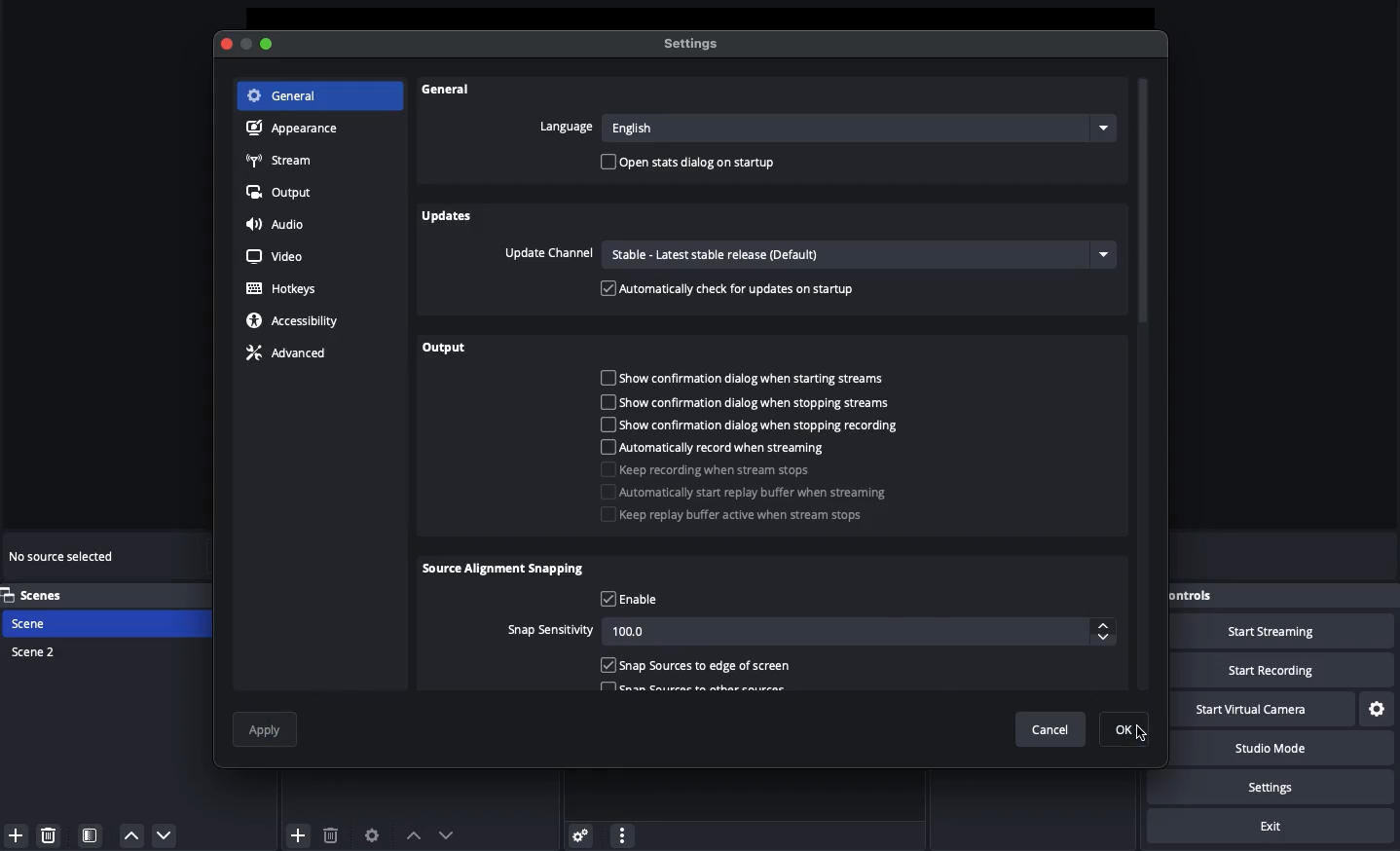 This screenshot has height=851, width=1400. I want to click on Move up, so click(131, 836).